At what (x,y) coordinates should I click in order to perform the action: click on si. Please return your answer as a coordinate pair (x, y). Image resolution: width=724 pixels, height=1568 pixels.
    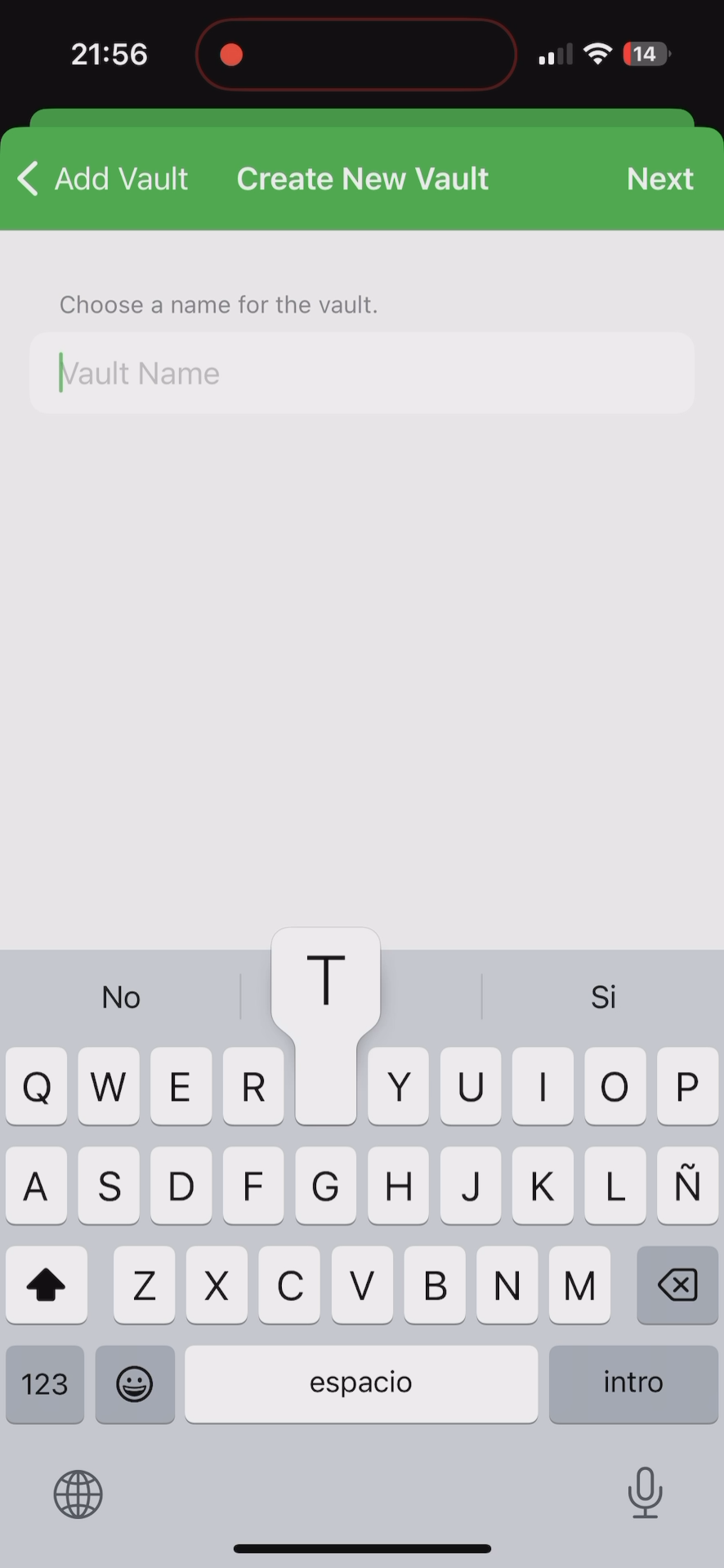
    Looking at the image, I should click on (604, 991).